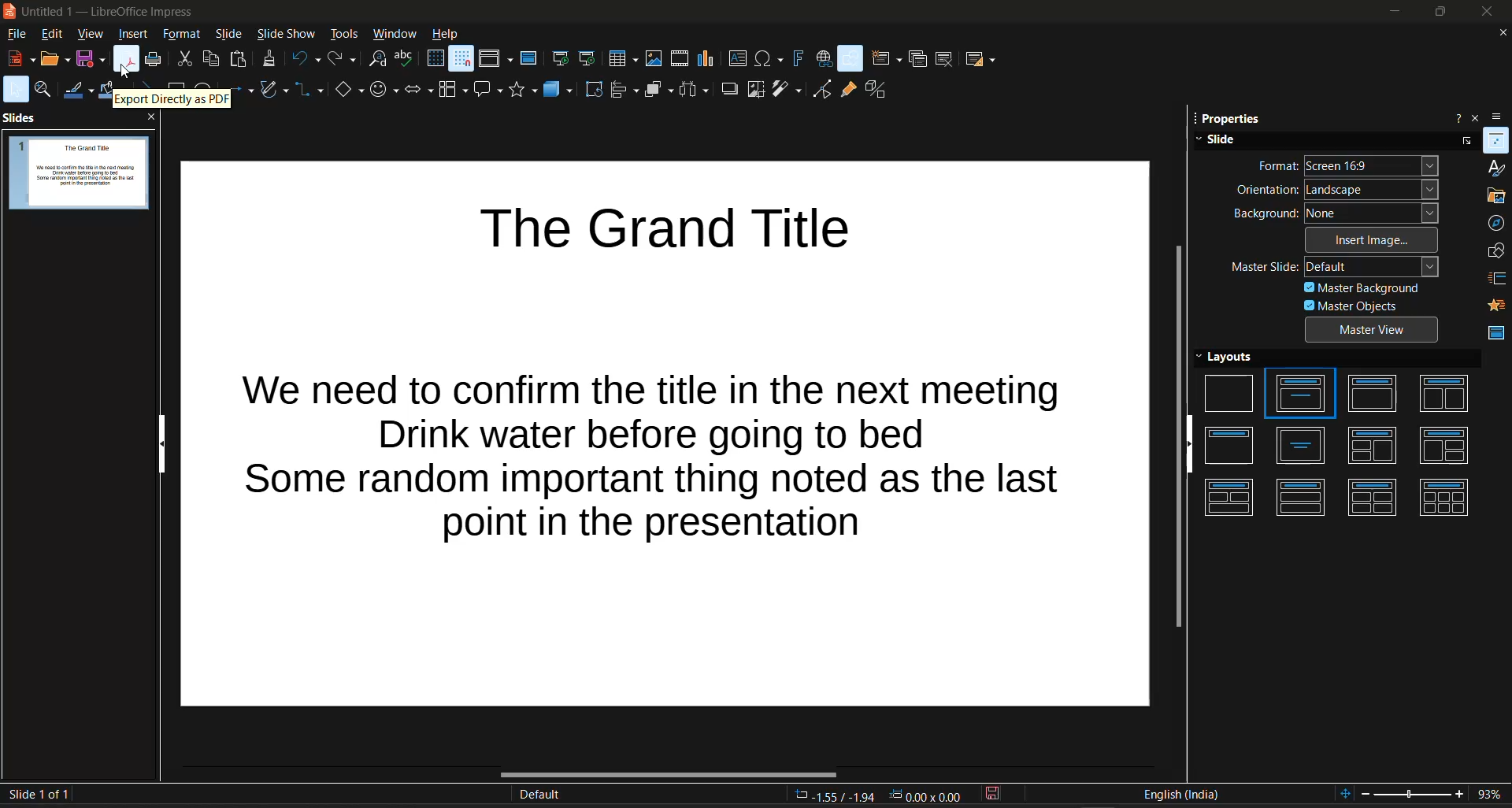 This screenshot has height=808, width=1512. I want to click on stars and banners, so click(523, 91).